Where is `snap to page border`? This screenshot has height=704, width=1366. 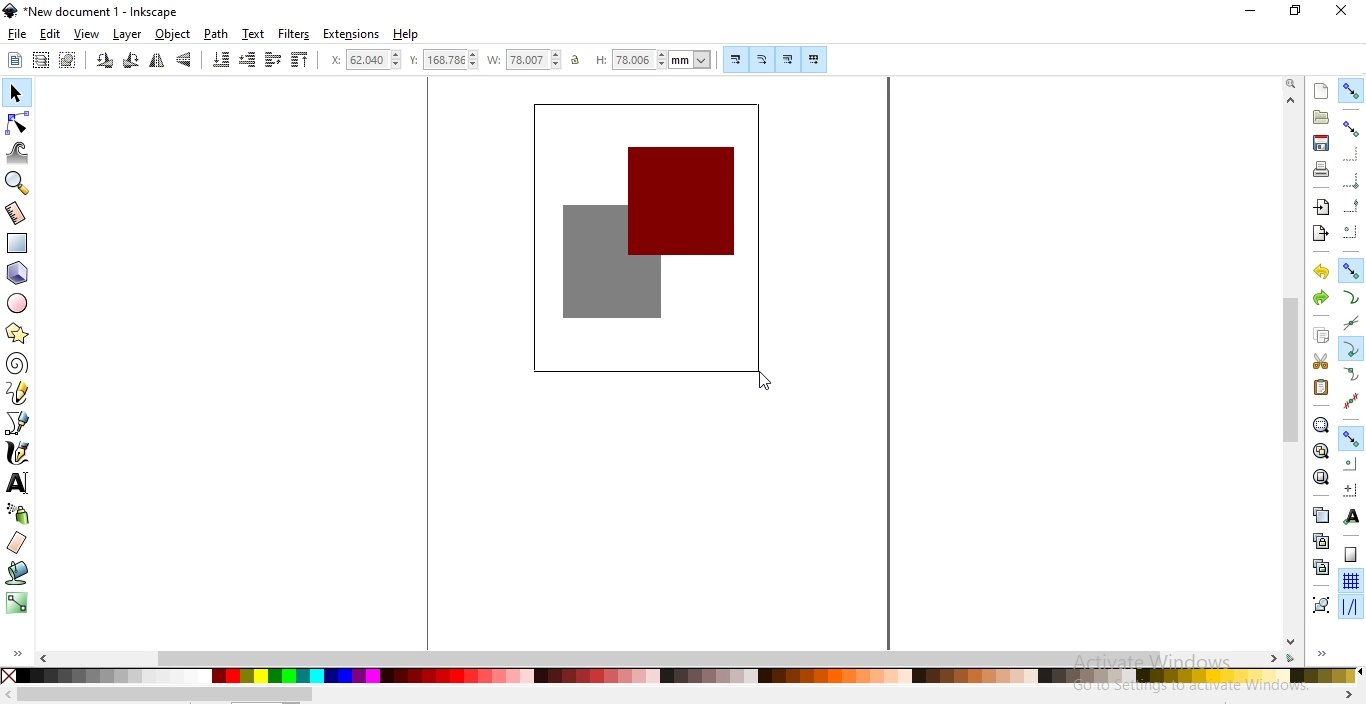 snap to page border is located at coordinates (1351, 555).